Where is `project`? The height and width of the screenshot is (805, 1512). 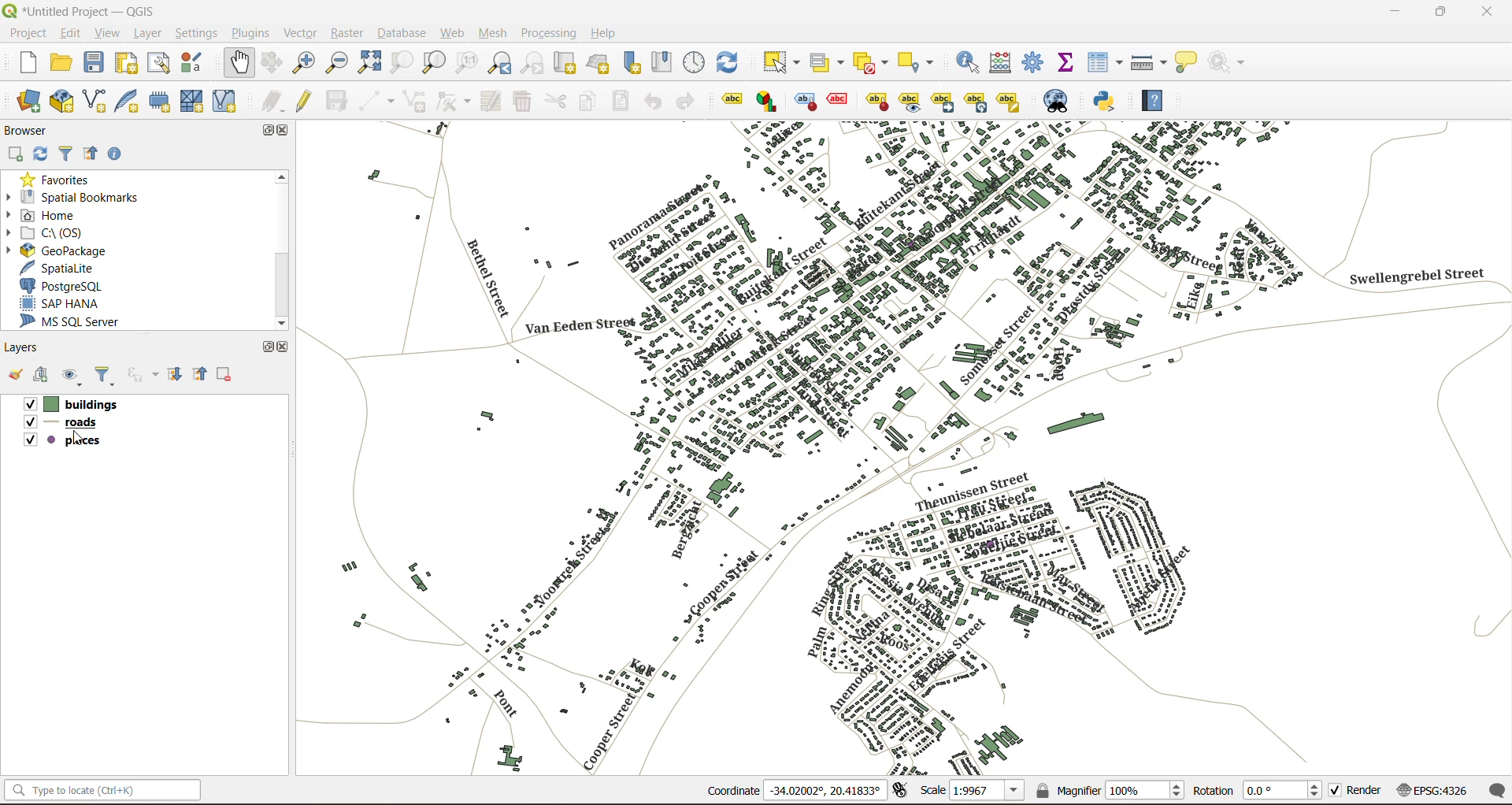
project is located at coordinates (28, 35).